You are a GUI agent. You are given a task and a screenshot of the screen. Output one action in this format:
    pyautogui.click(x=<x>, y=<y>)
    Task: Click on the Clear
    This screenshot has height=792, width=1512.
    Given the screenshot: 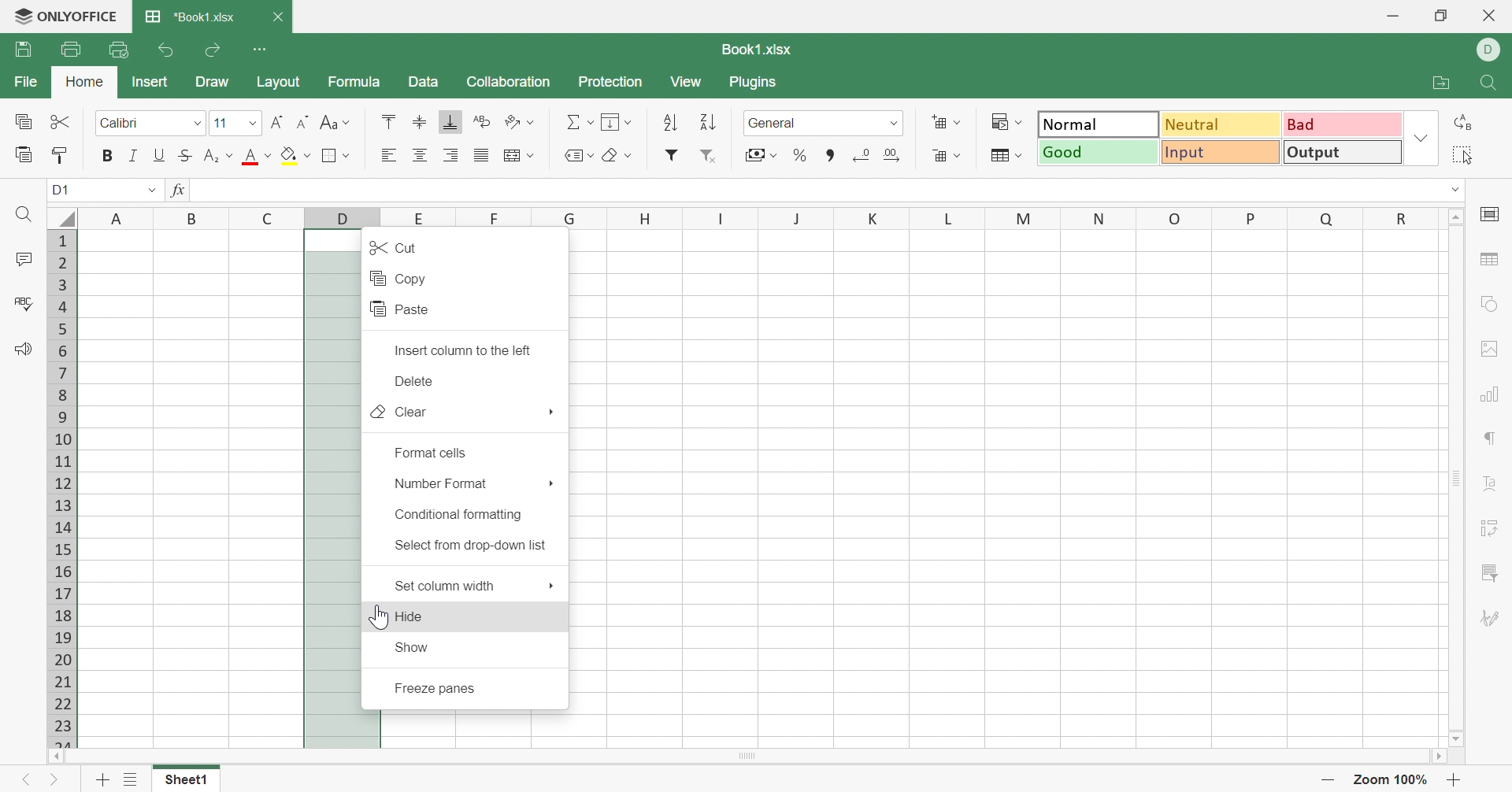 What is the action you would take?
    pyautogui.click(x=613, y=157)
    